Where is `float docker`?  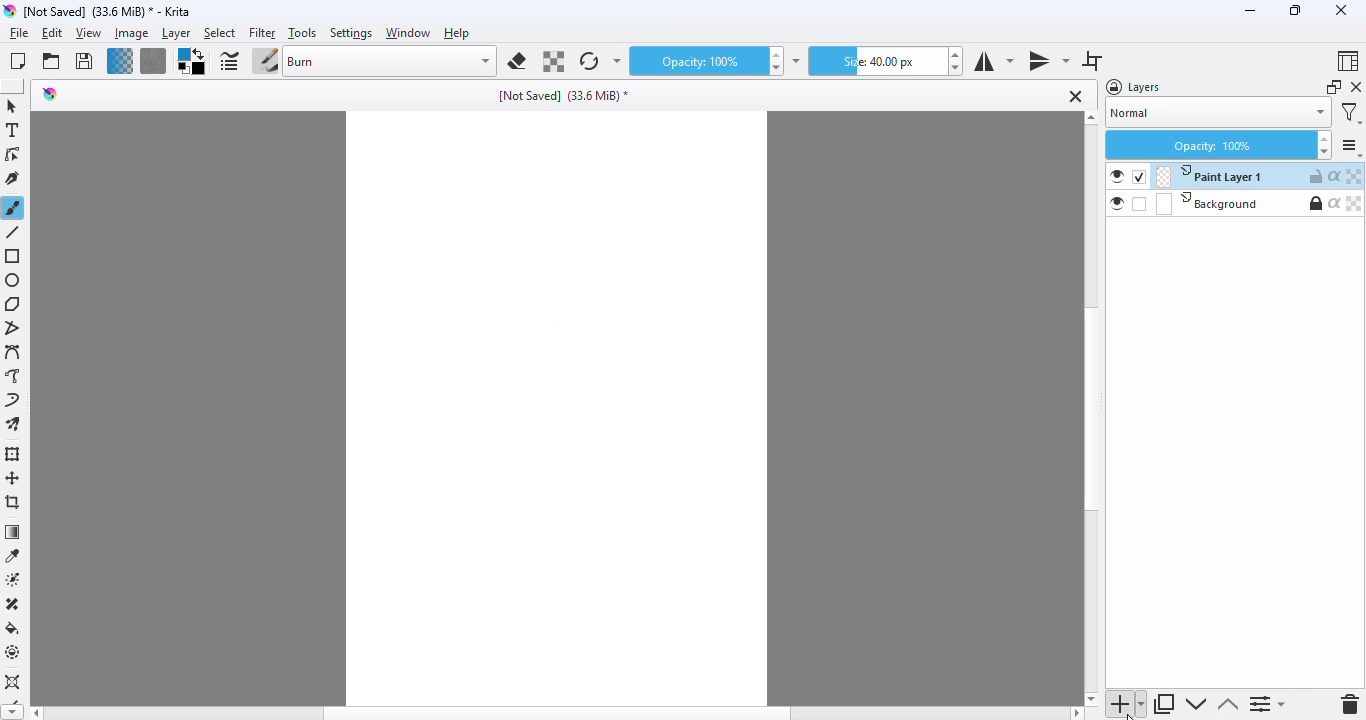
float docker is located at coordinates (1334, 87).